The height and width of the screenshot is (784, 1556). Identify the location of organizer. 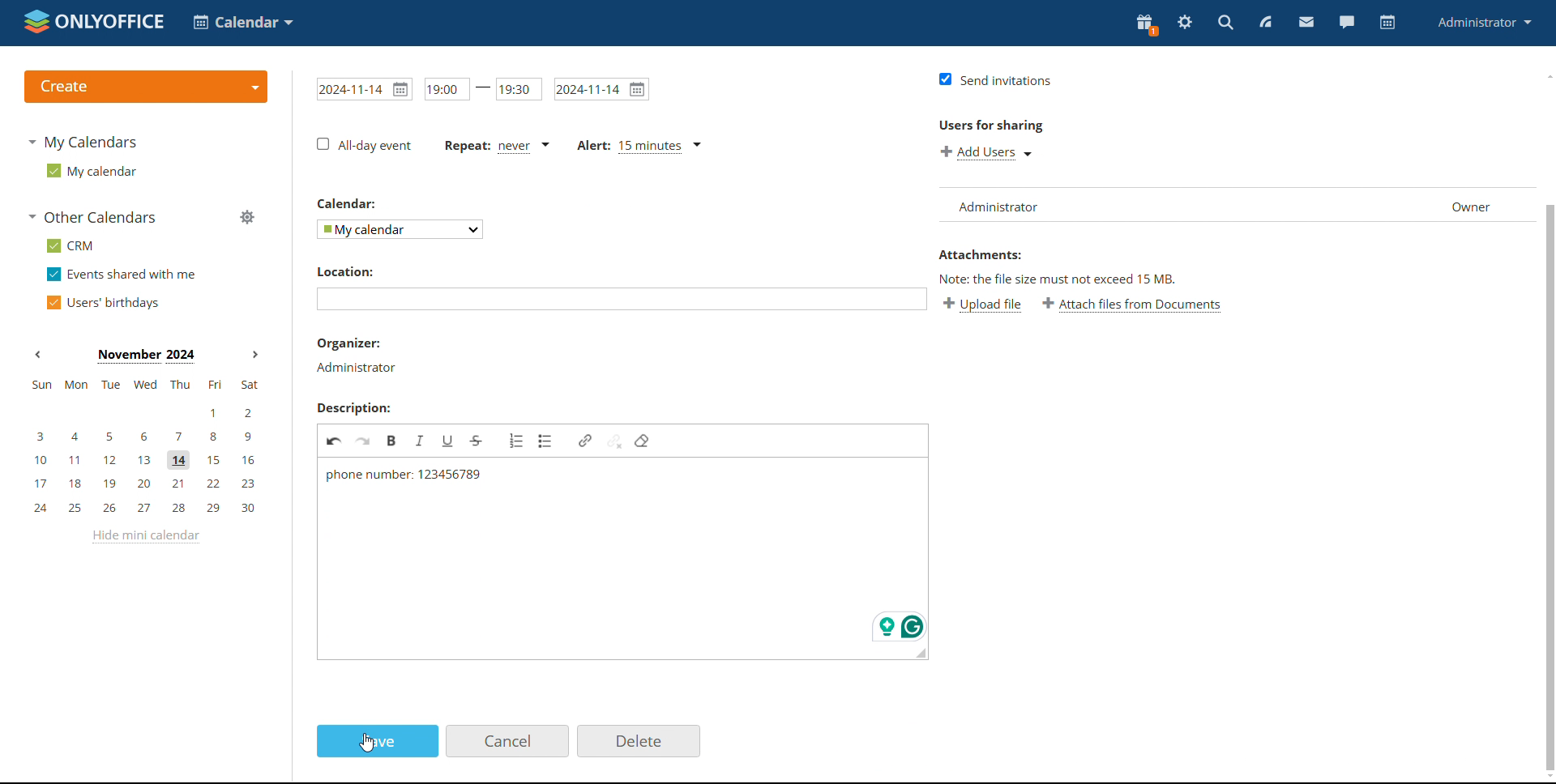
(348, 342).